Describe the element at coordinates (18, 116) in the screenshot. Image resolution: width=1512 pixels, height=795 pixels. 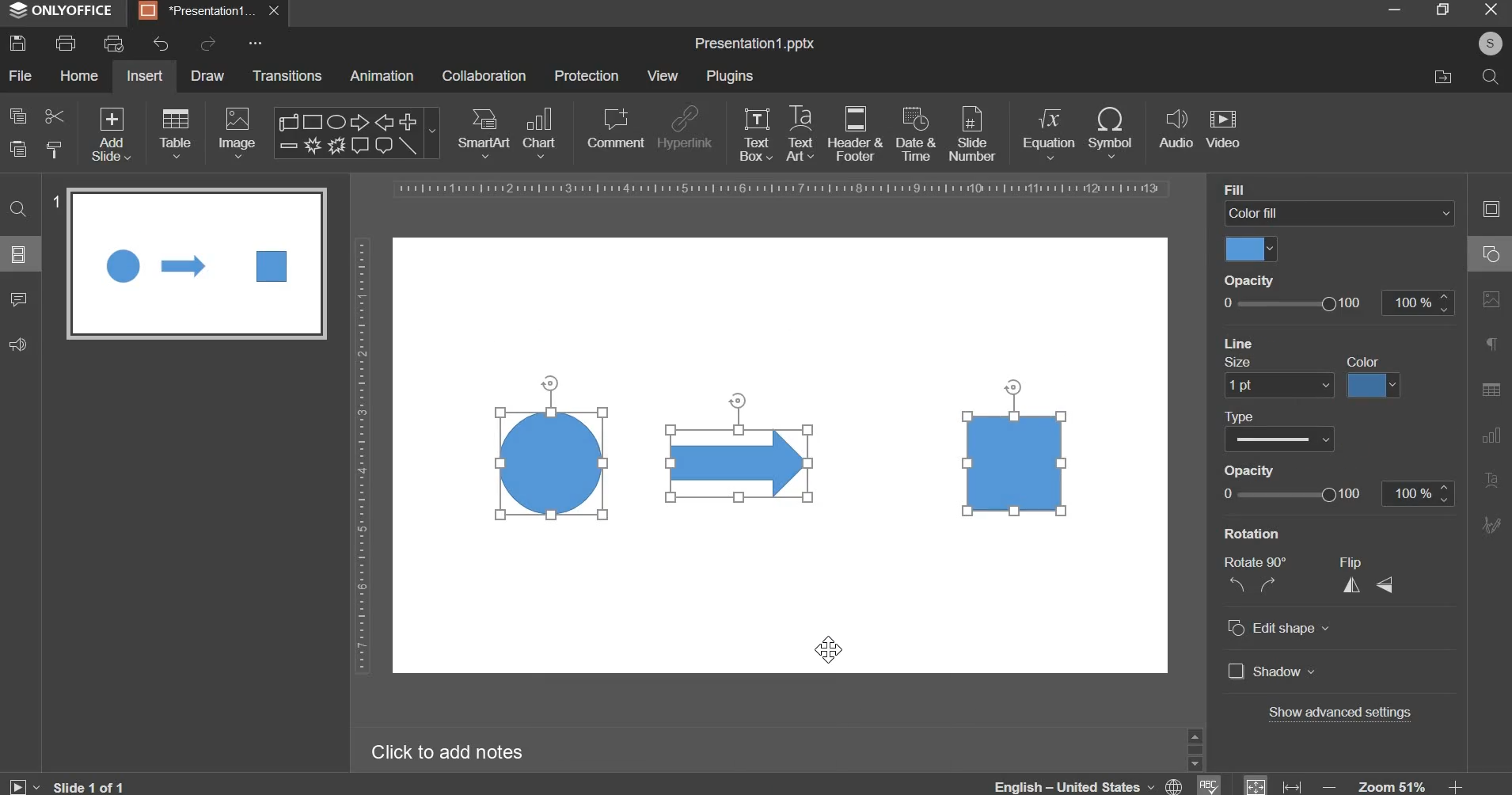
I see `copy` at that location.